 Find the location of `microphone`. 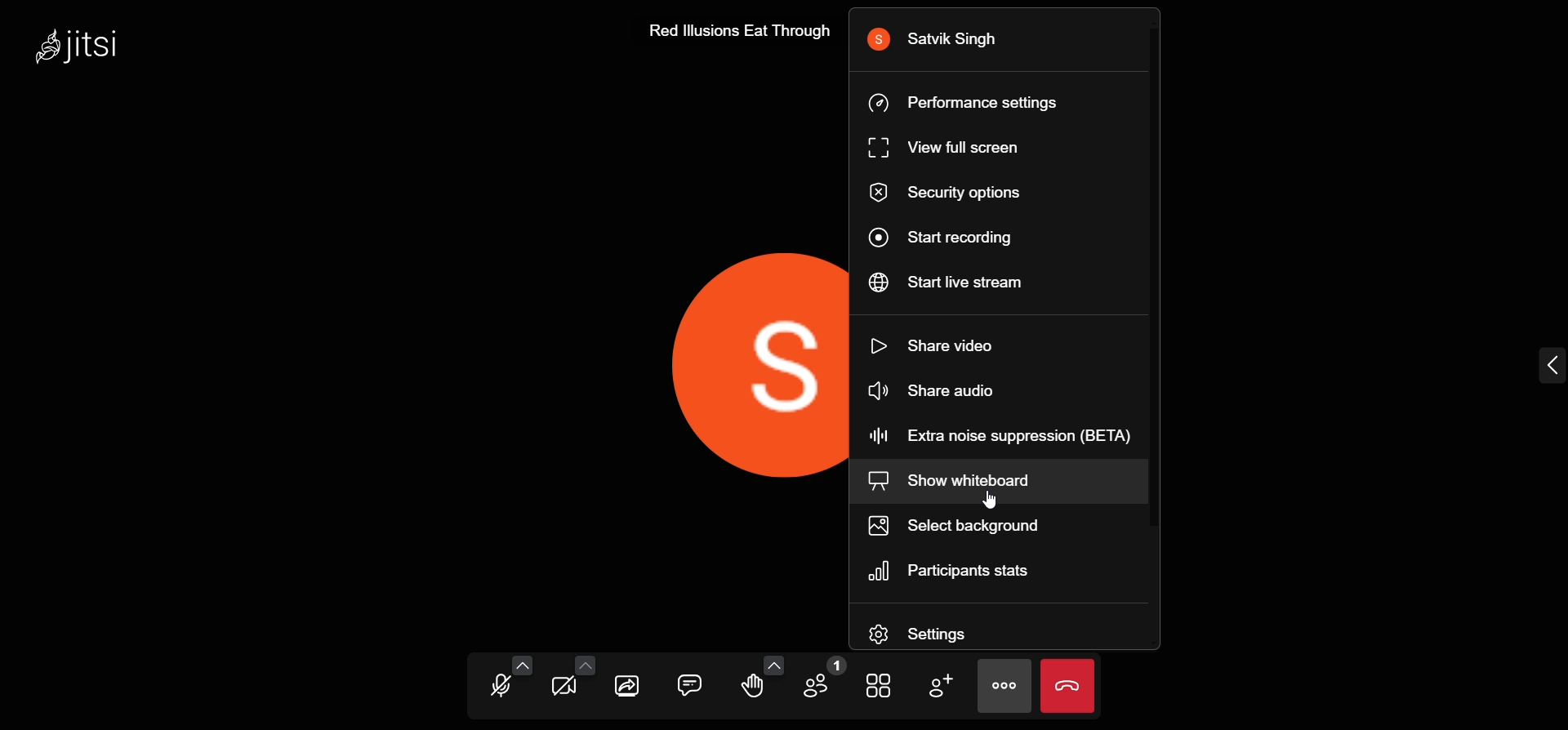

microphone is located at coordinates (501, 688).